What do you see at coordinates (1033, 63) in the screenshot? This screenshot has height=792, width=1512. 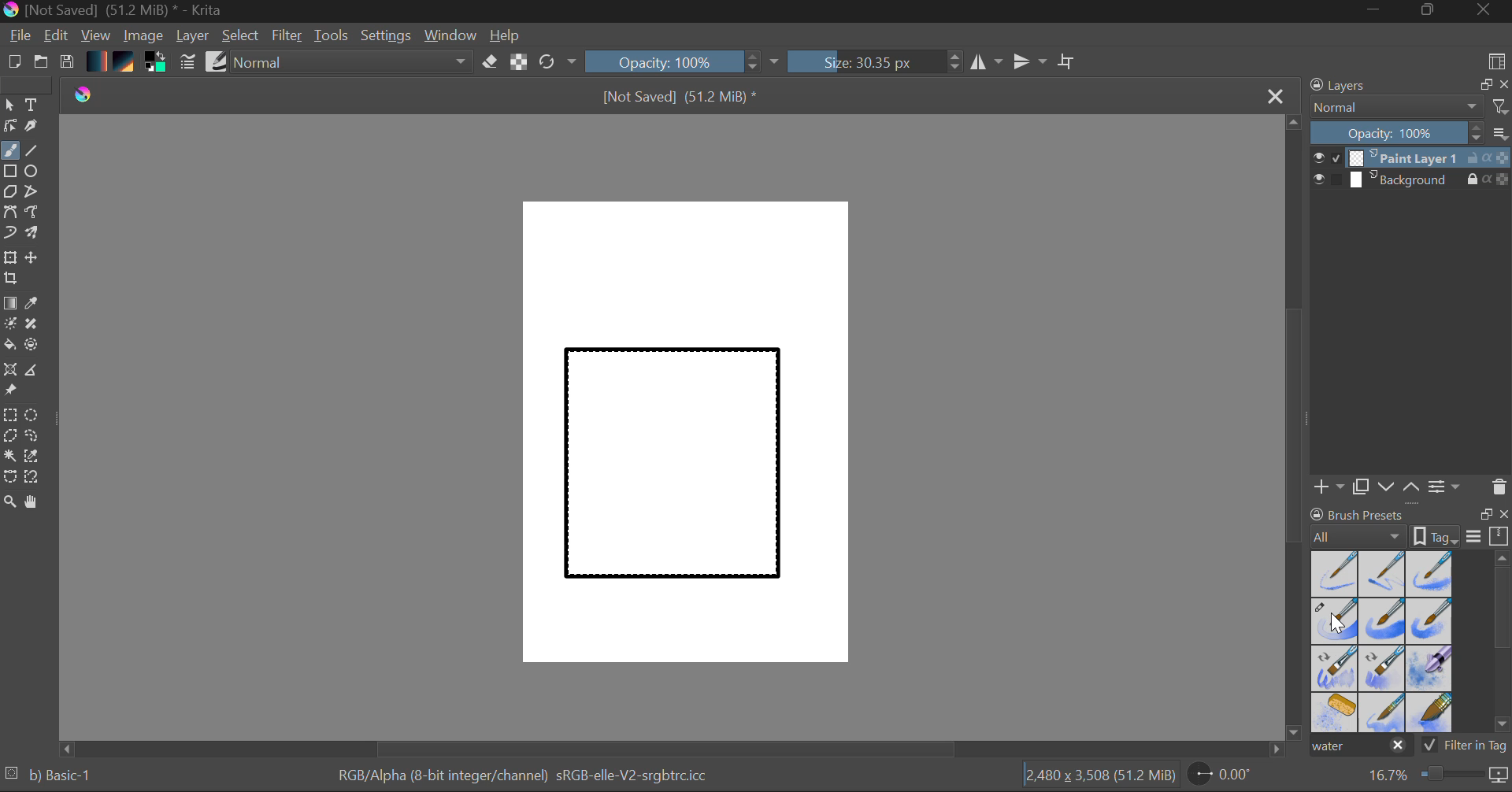 I see `Horizontal Mirror Flip` at bounding box center [1033, 63].